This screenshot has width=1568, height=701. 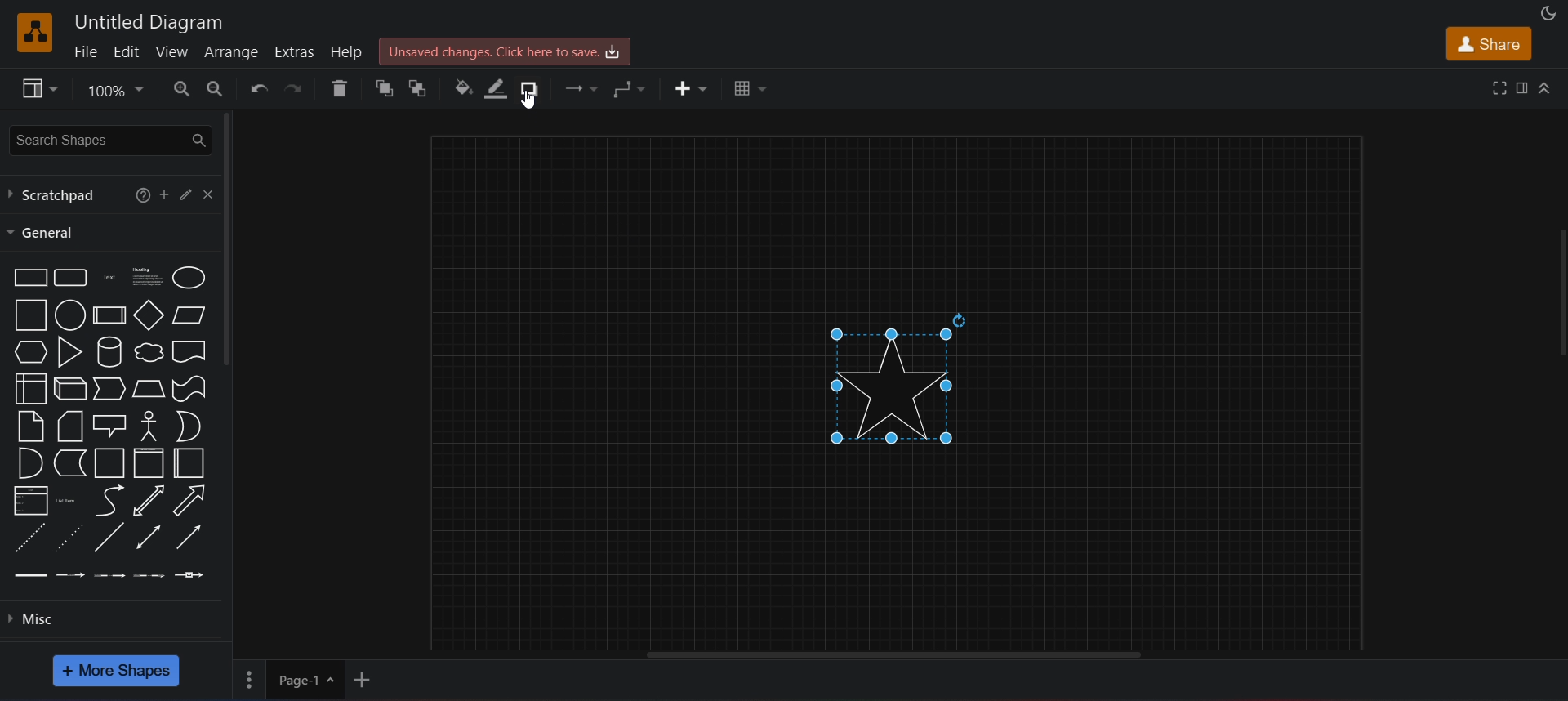 What do you see at coordinates (189, 425) in the screenshot?
I see `or` at bounding box center [189, 425].